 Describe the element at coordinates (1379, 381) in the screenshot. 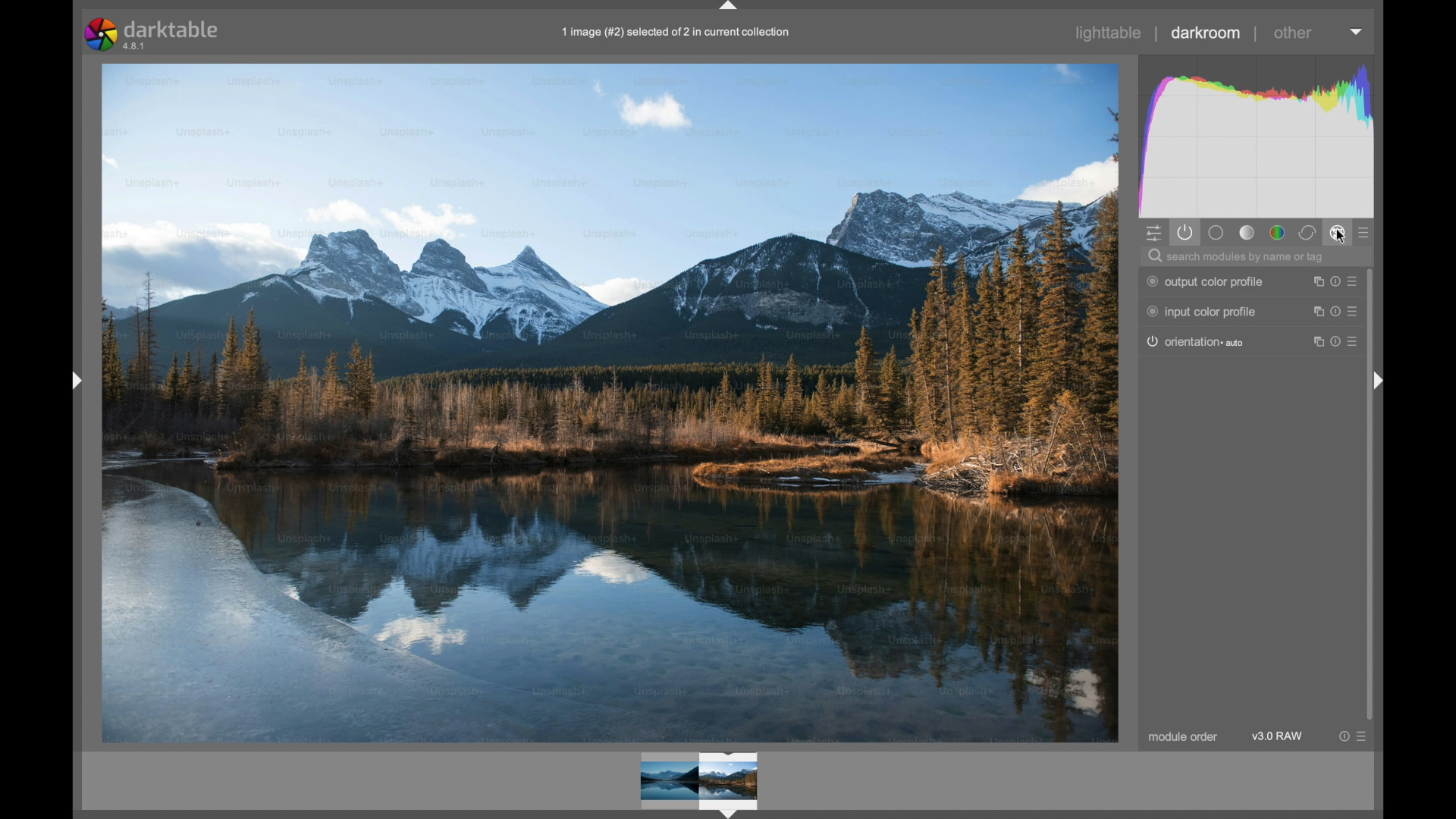

I see `drag handle` at that location.